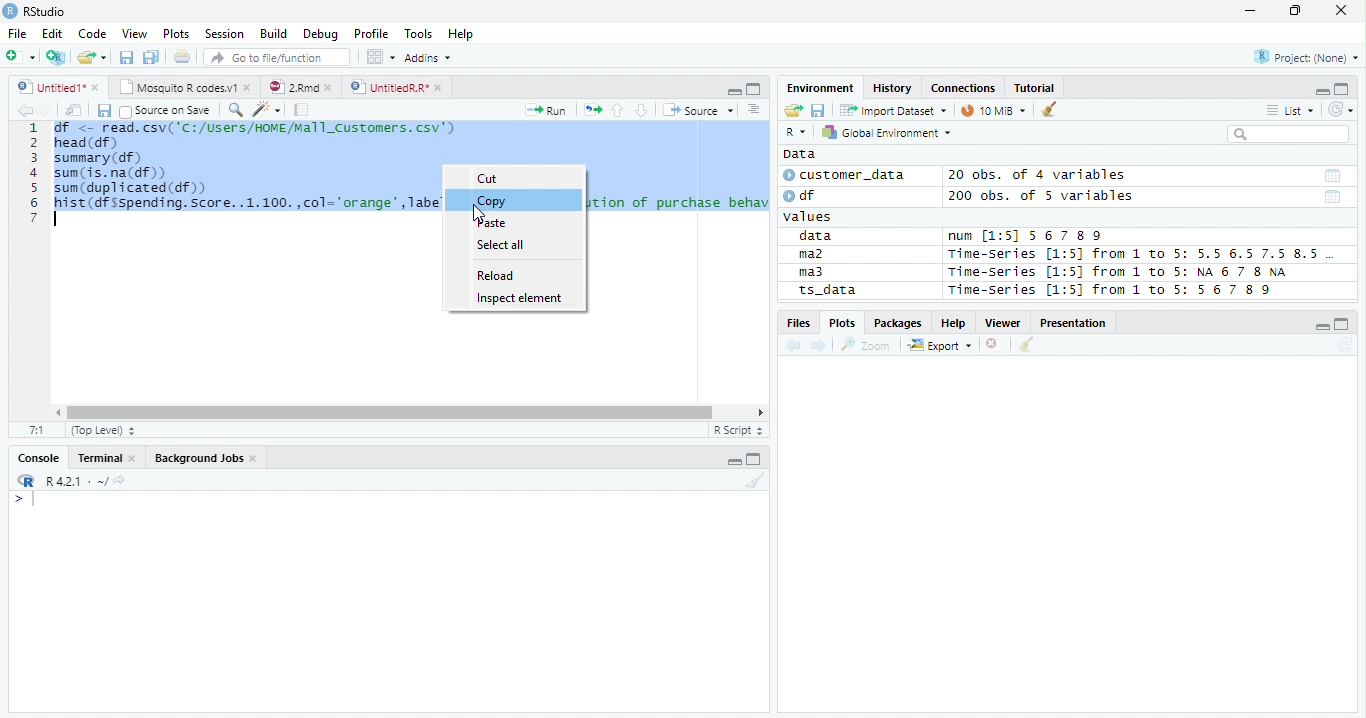 The image size is (1366, 718). Describe the element at coordinates (798, 323) in the screenshot. I see `Files` at that location.